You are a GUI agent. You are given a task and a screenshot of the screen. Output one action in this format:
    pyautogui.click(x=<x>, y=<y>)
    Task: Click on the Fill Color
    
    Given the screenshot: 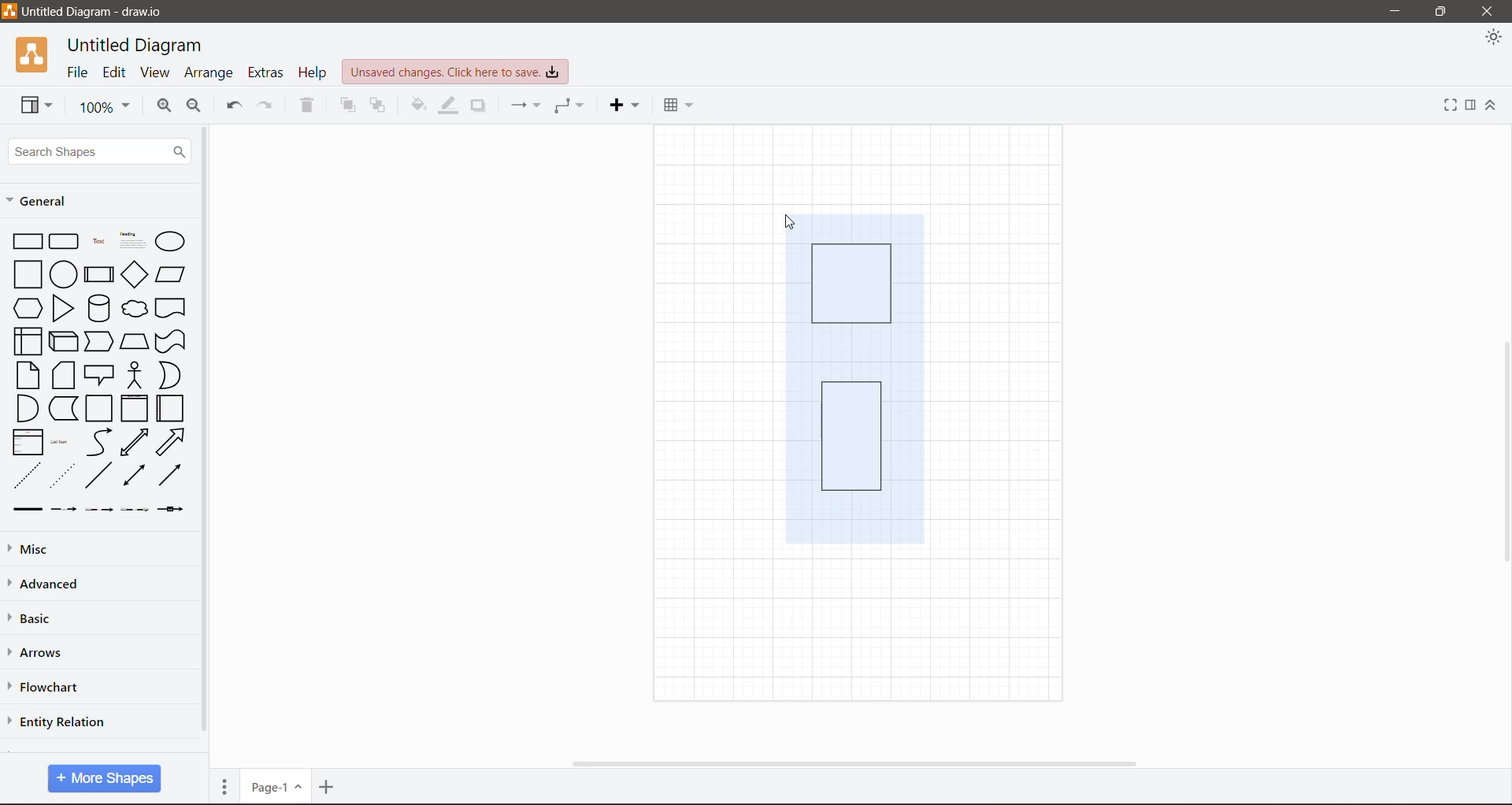 What is the action you would take?
    pyautogui.click(x=418, y=108)
    